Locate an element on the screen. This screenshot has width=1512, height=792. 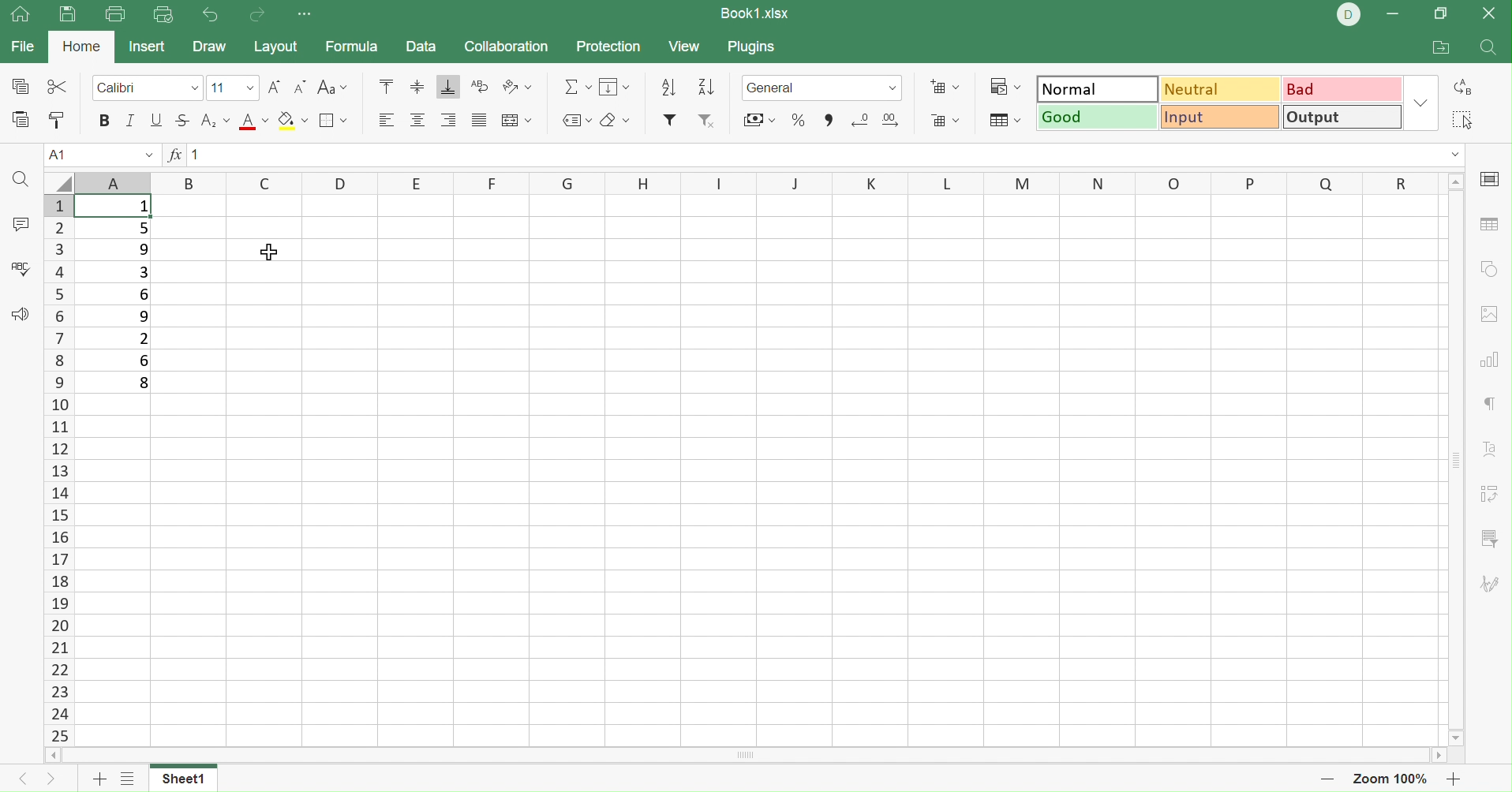
Align middle is located at coordinates (417, 86).